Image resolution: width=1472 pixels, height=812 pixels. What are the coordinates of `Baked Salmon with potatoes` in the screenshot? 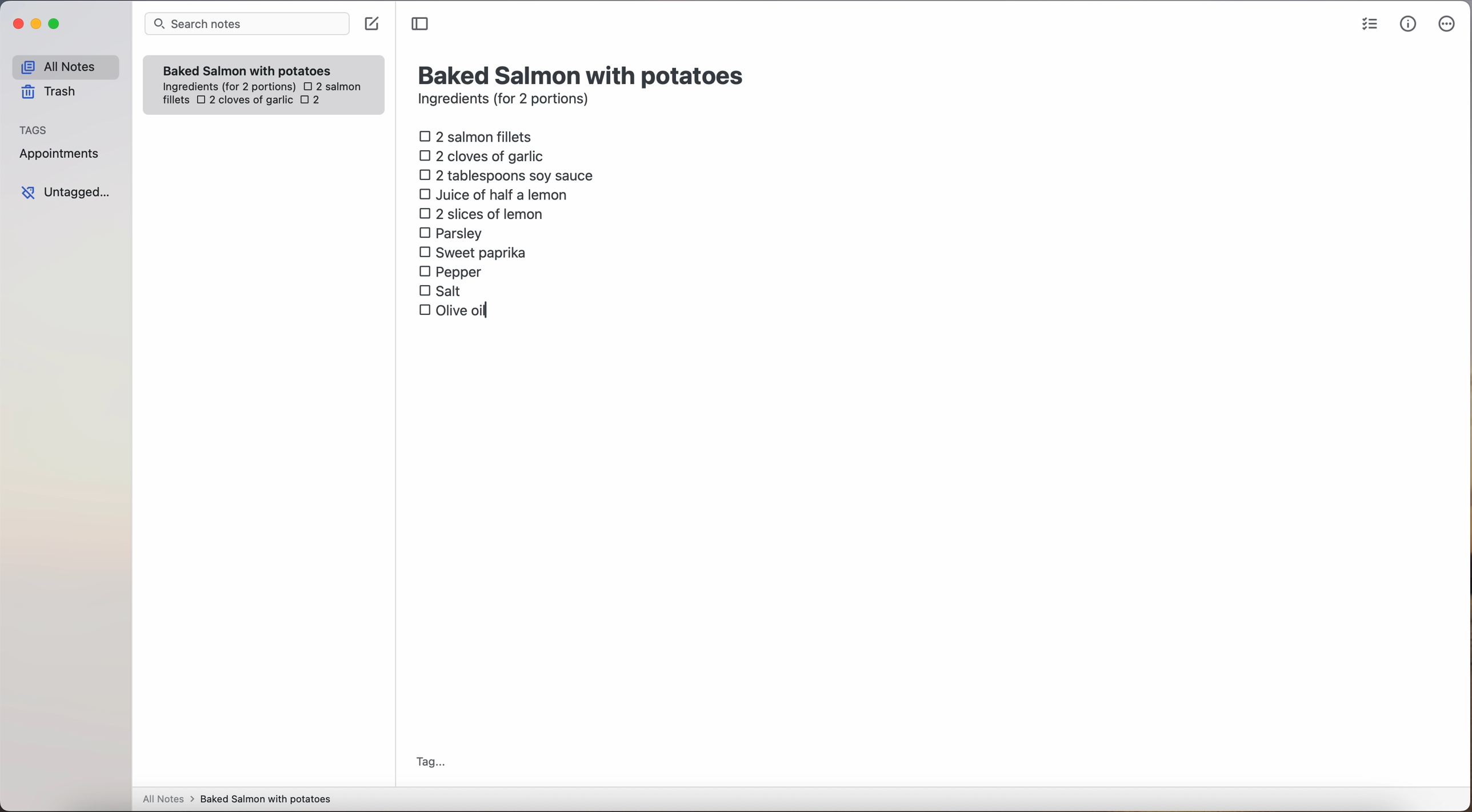 It's located at (247, 68).